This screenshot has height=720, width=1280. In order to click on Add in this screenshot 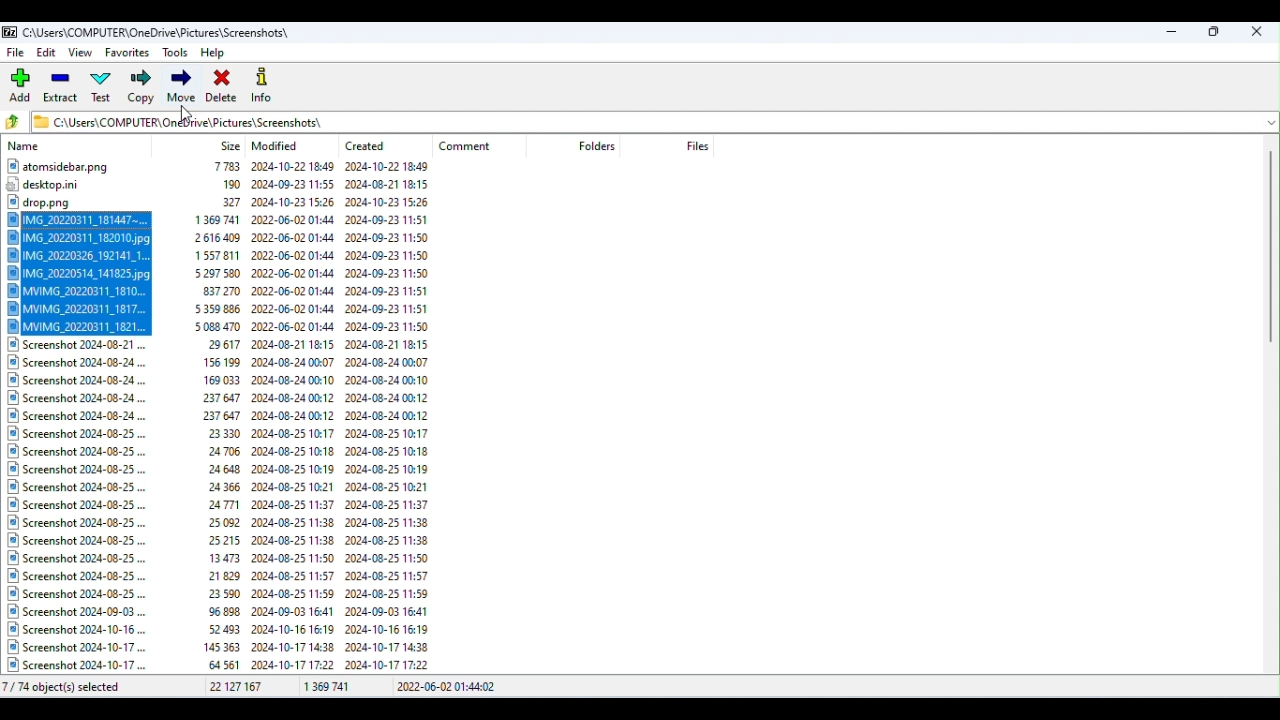, I will do `click(23, 86)`.